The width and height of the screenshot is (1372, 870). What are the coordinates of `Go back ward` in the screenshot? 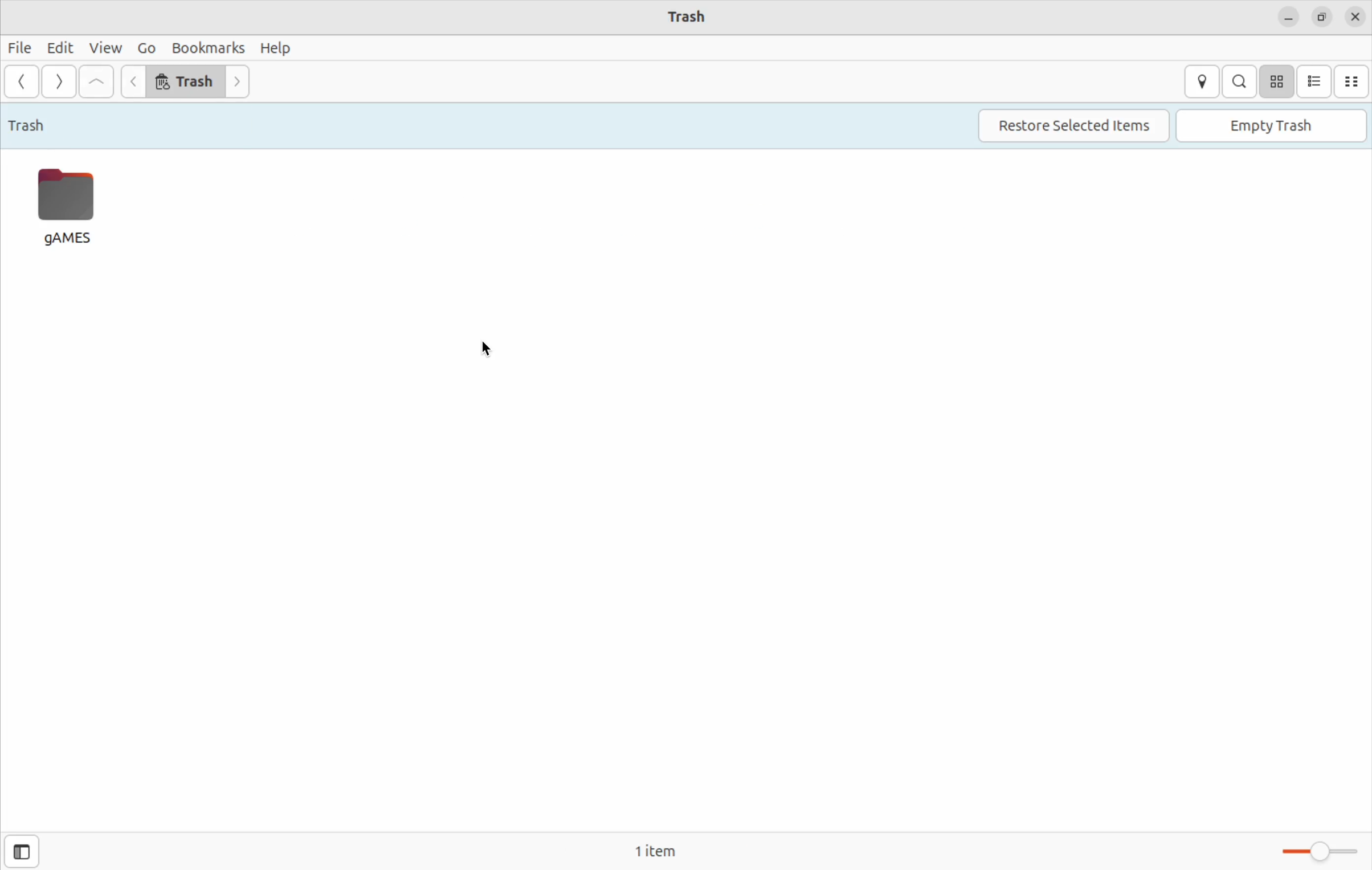 It's located at (22, 81).